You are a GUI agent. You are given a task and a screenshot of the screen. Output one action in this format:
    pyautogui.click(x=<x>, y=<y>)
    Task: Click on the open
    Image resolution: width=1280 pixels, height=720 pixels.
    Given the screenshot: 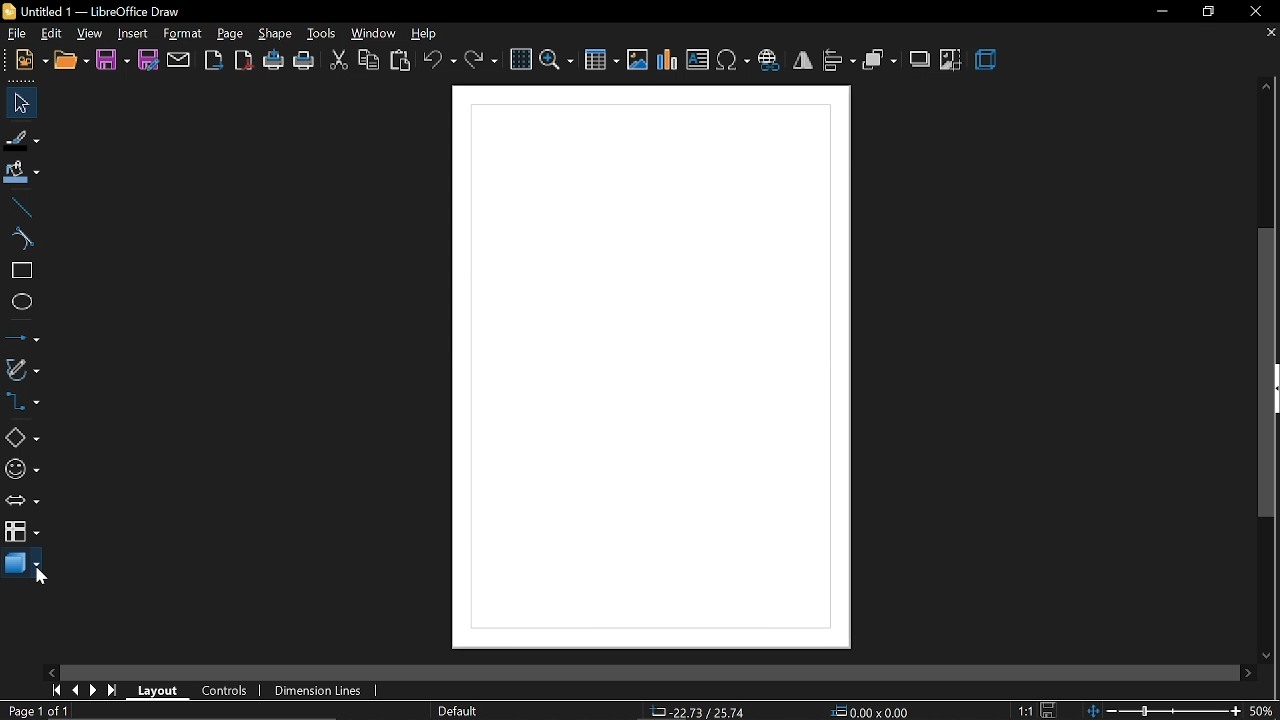 What is the action you would take?
    pyautogui.click(x=72, y=60)
    